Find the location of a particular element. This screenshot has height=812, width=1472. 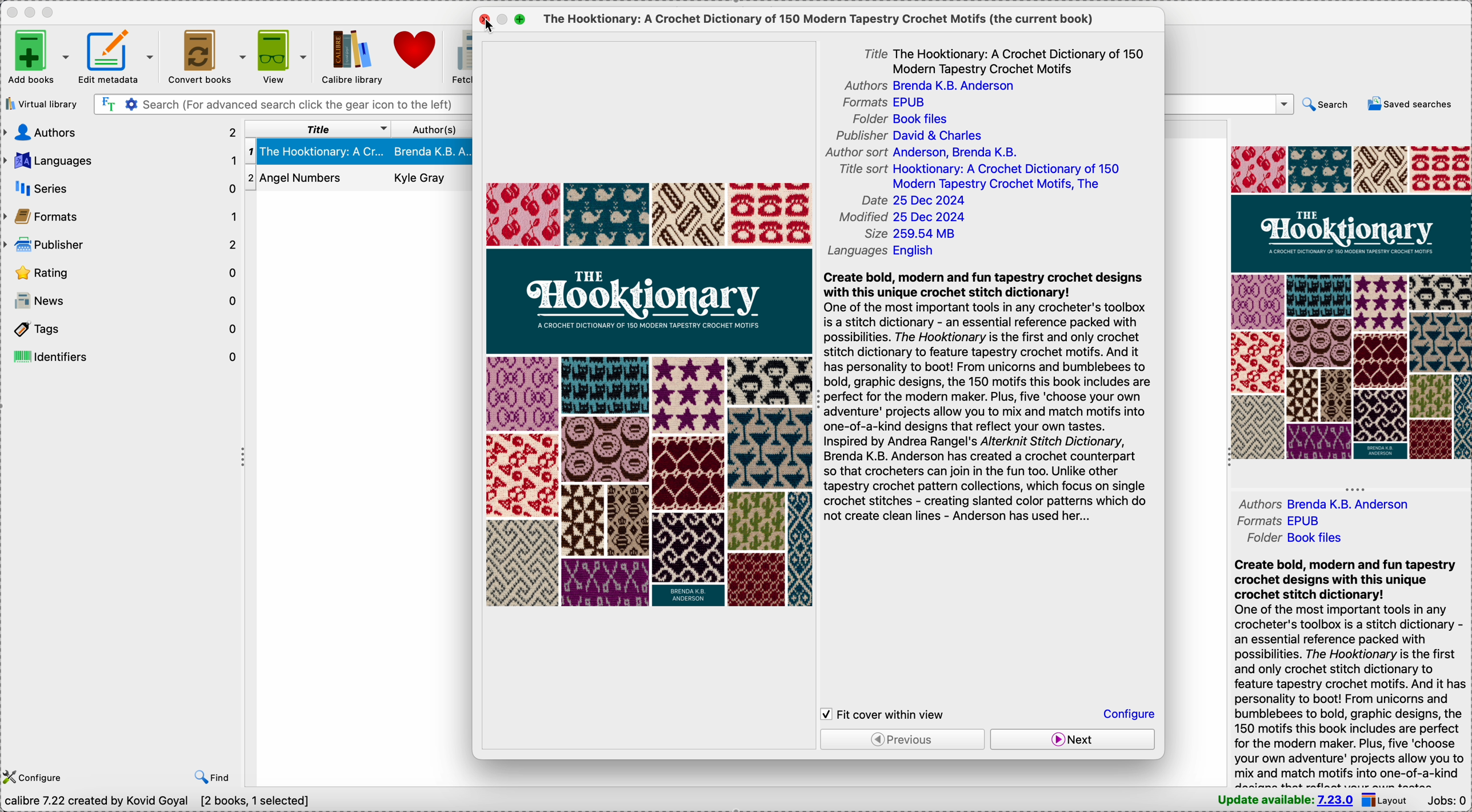

cursor is located at coordinates (490, 27).